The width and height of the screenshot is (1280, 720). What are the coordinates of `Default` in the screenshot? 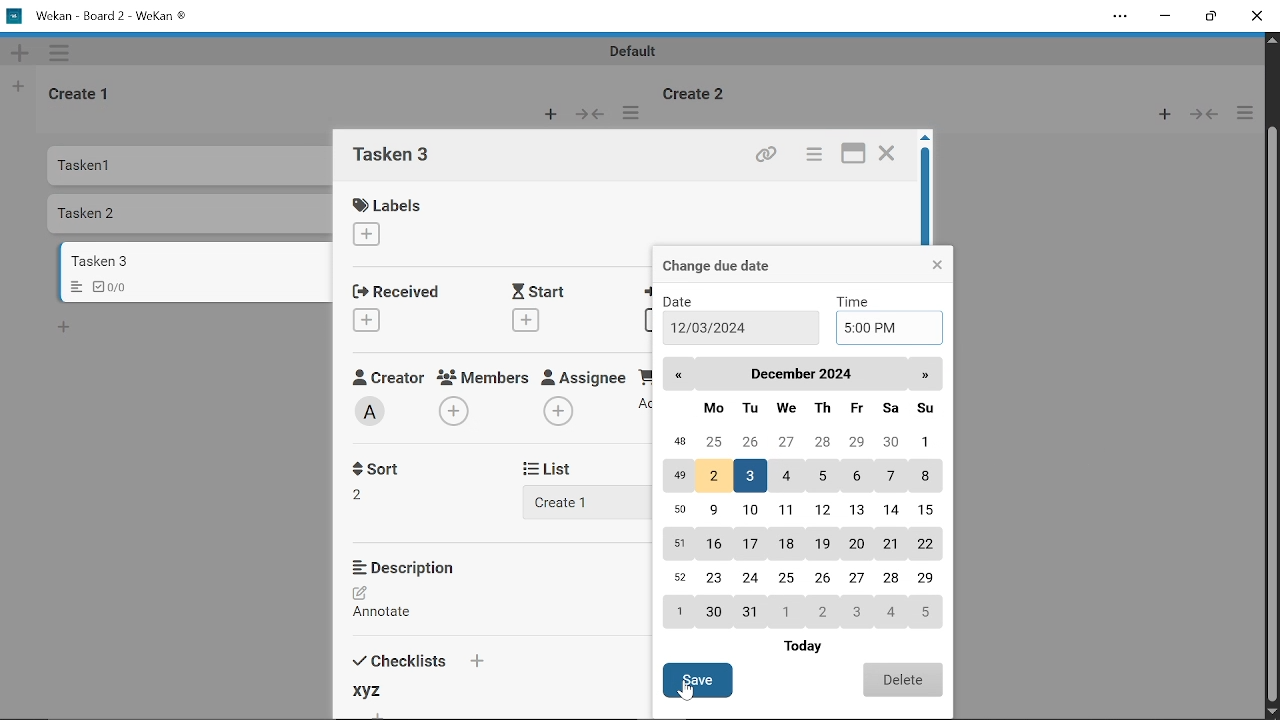 It's located at (636, 51).